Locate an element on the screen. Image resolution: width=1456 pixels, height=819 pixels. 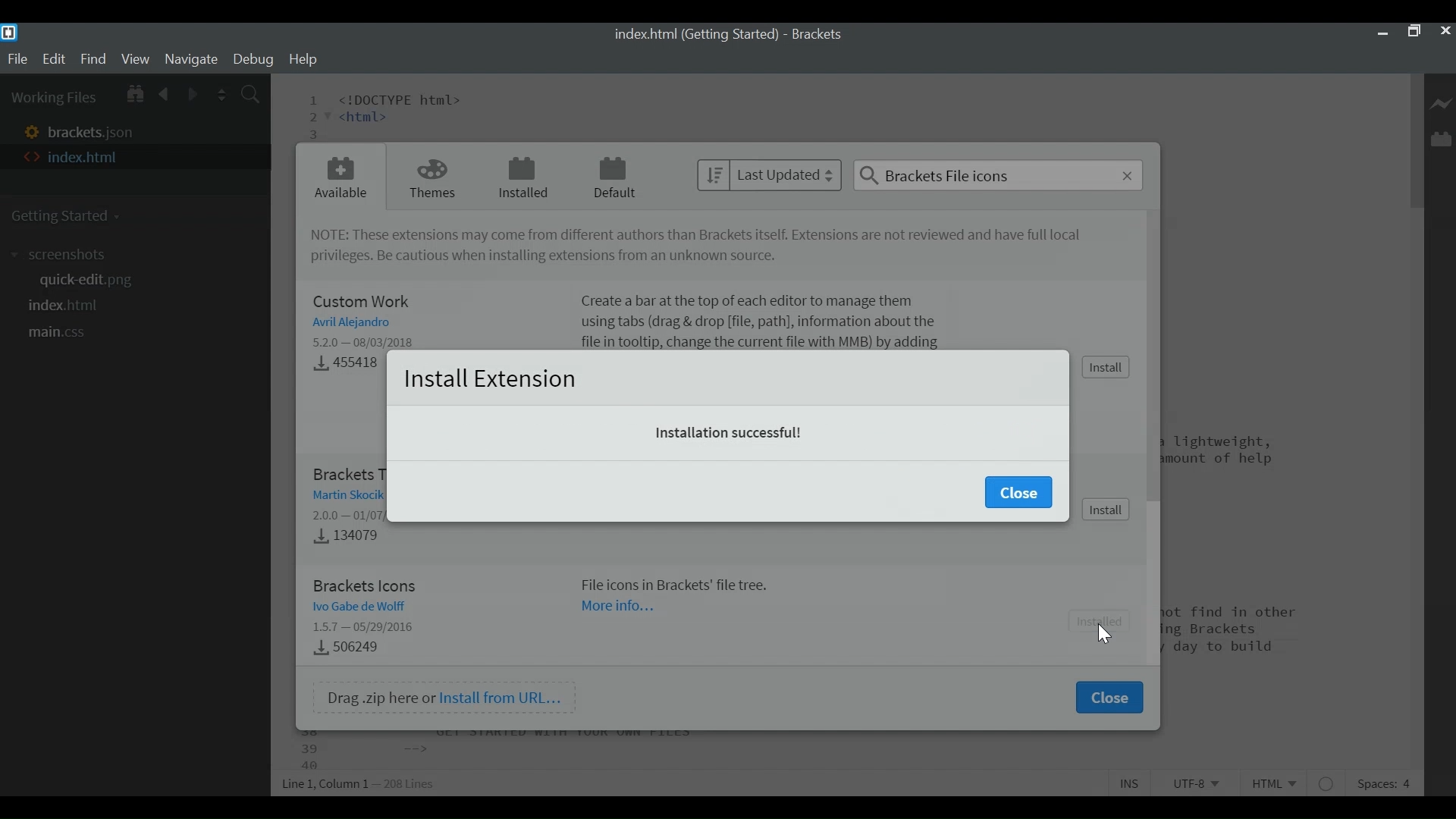
Working Files is located at coordinates (54, 96).